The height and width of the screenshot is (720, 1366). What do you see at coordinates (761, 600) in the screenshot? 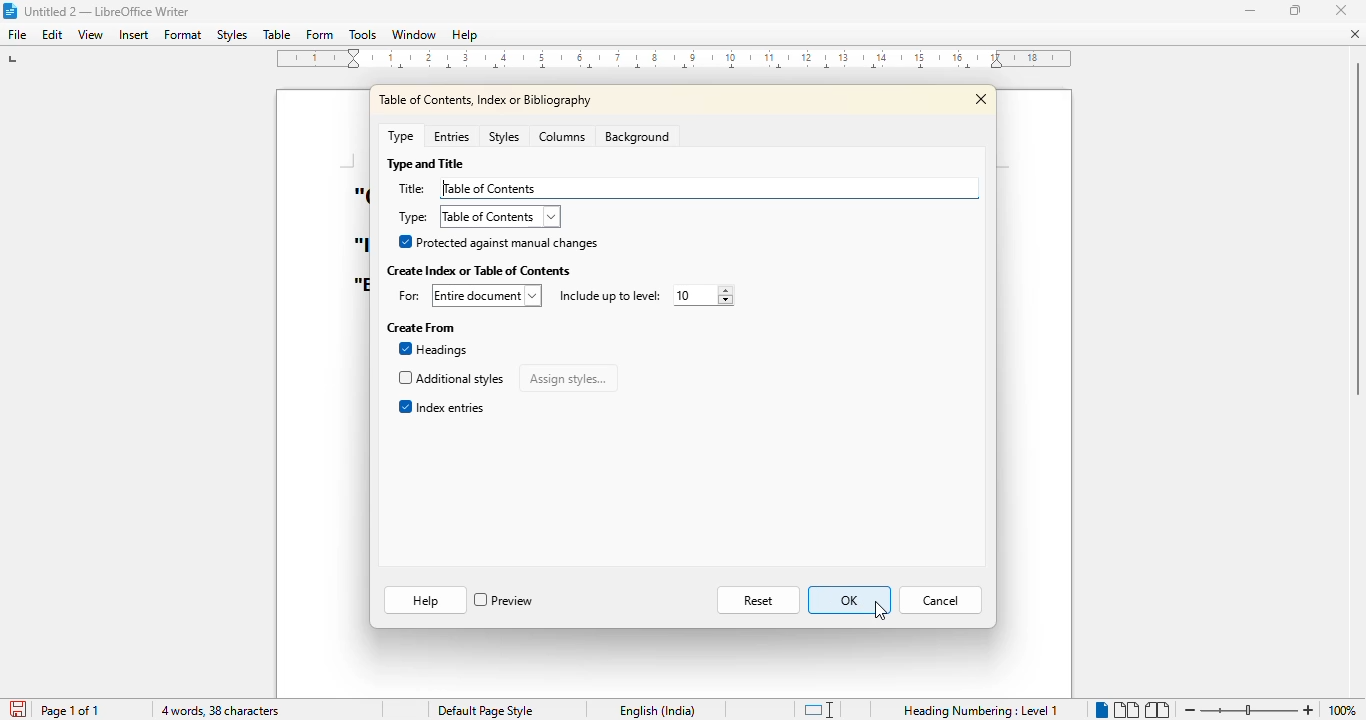
I see `reset` at bounding box center [761, 600].